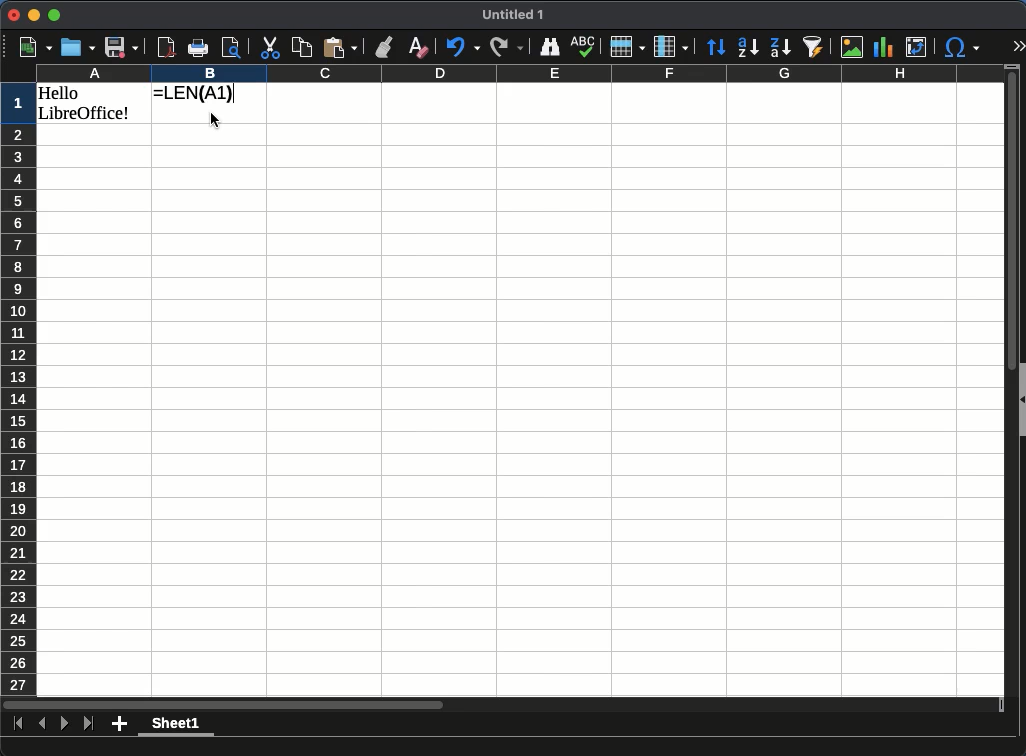 The height and width of the screenshot is (756, 1026). What do you see at coordinates (124, 46) in the screenshot?
I see `save` at bounding box center [124, 46].